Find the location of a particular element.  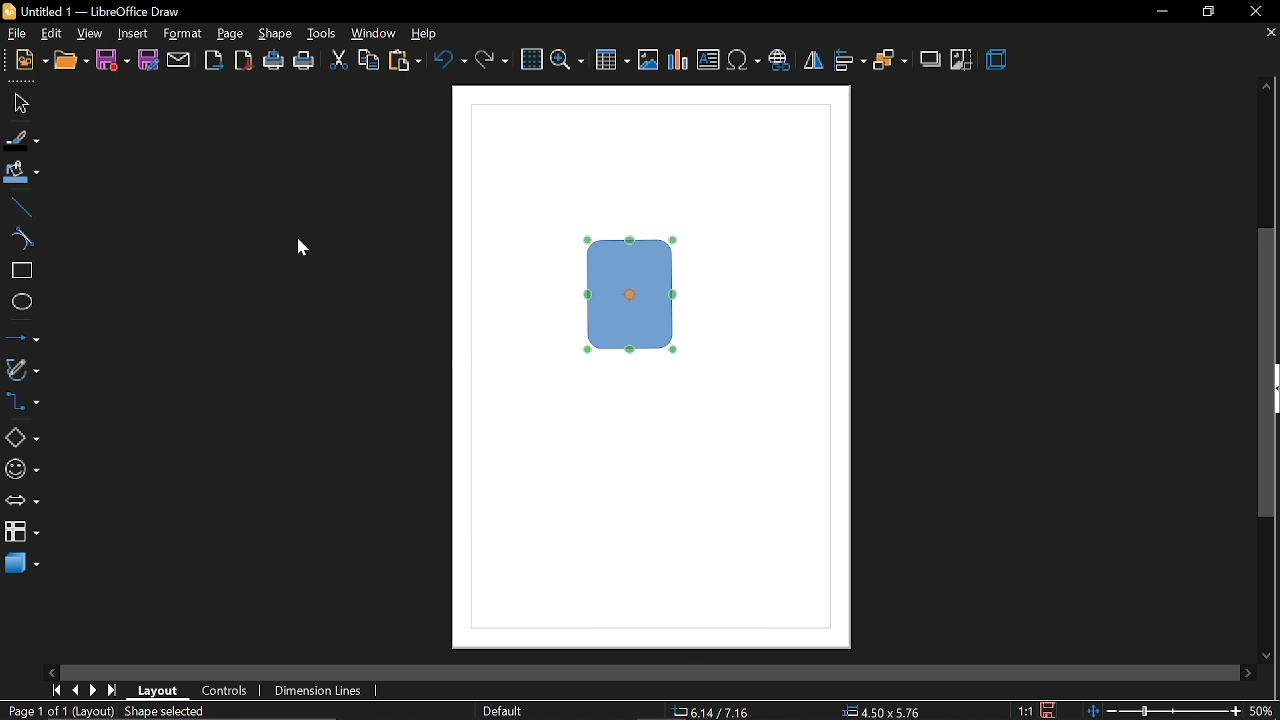

page is located at coordinates (232, 34).